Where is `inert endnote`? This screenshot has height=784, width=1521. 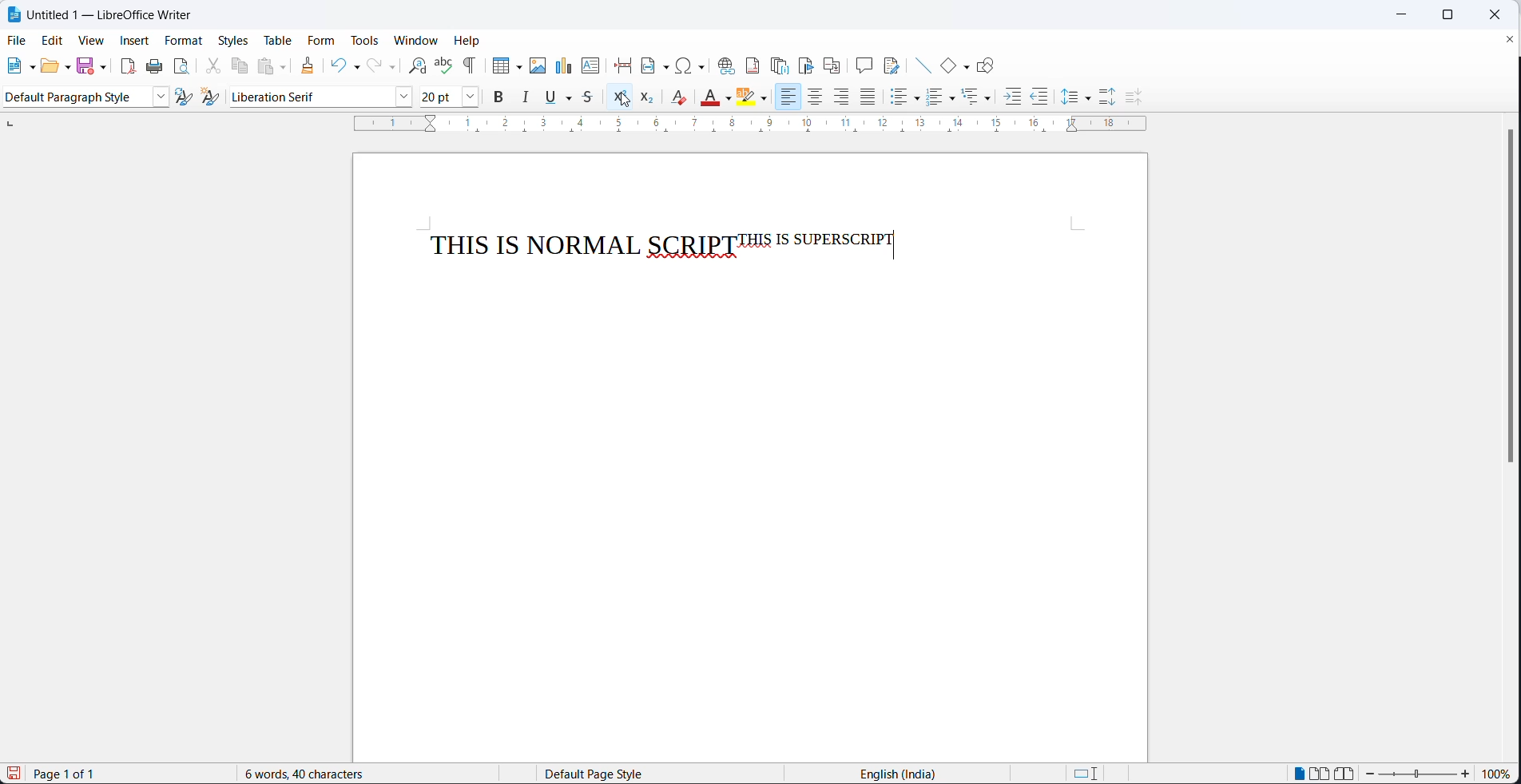
inert endnote is located at coordinates (783, 65).